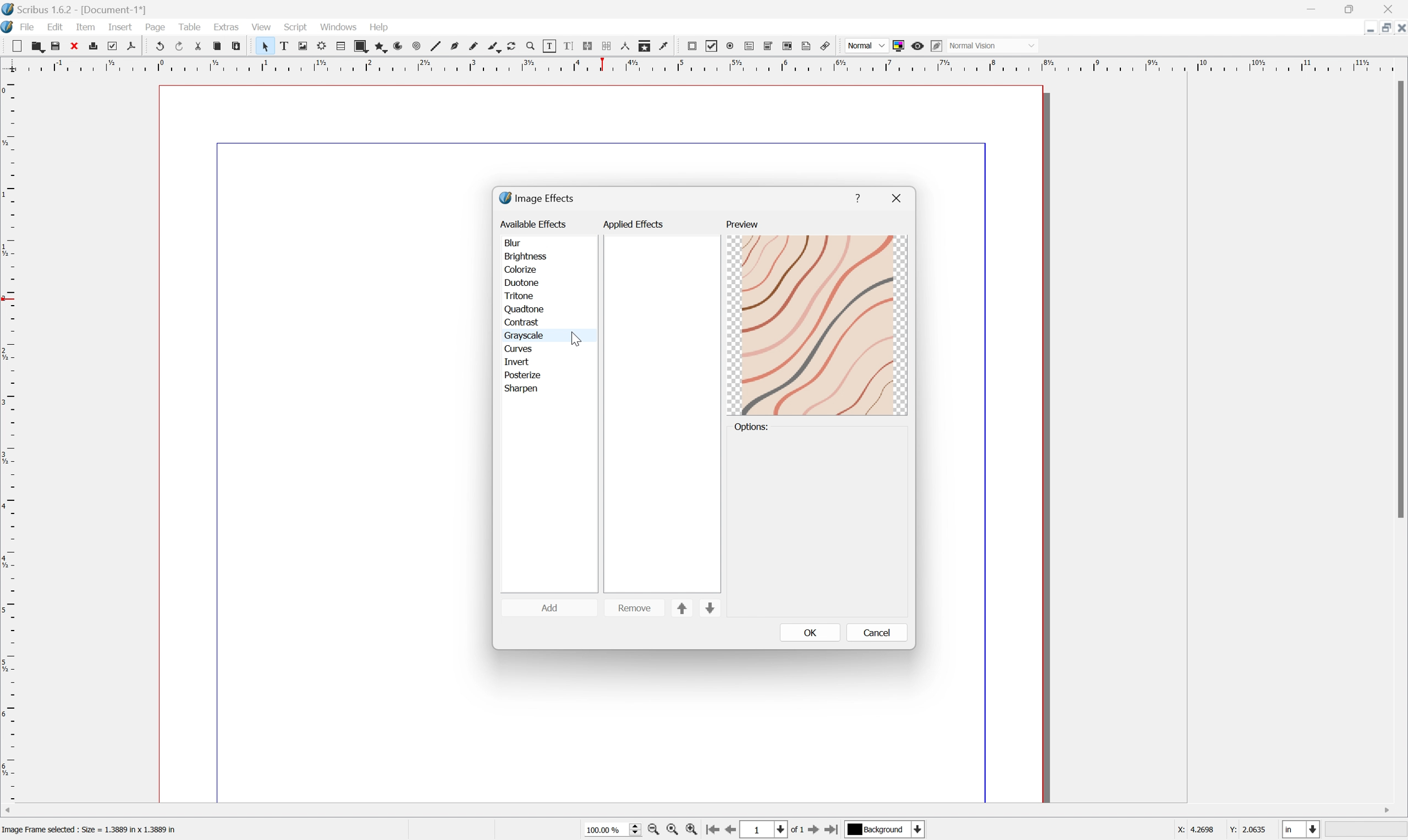 Image resolution: width=1408 pixels, height=840 pixels. What do you see at coordinates (612, 829) in the screenshot?
I see `Current zoom level` at bounding box center [612, 829].